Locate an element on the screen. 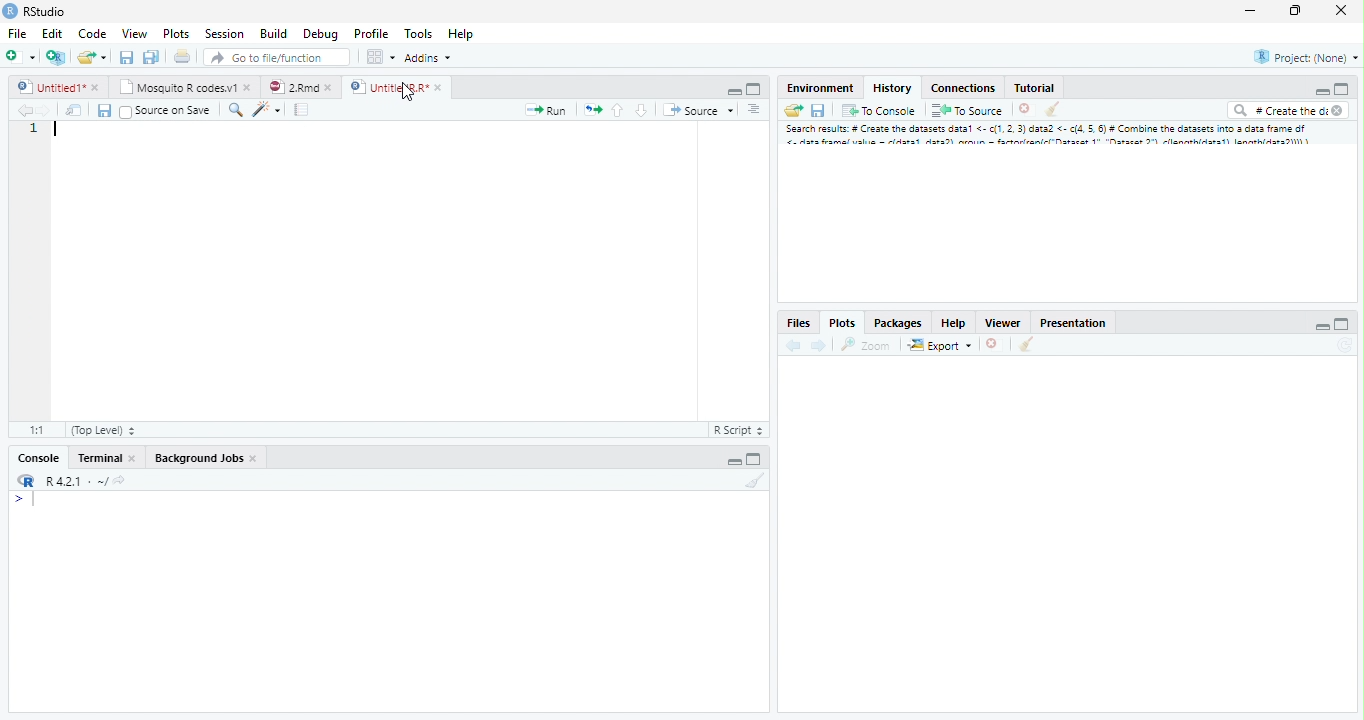  Minimize is located at coordinates (1319, 325).